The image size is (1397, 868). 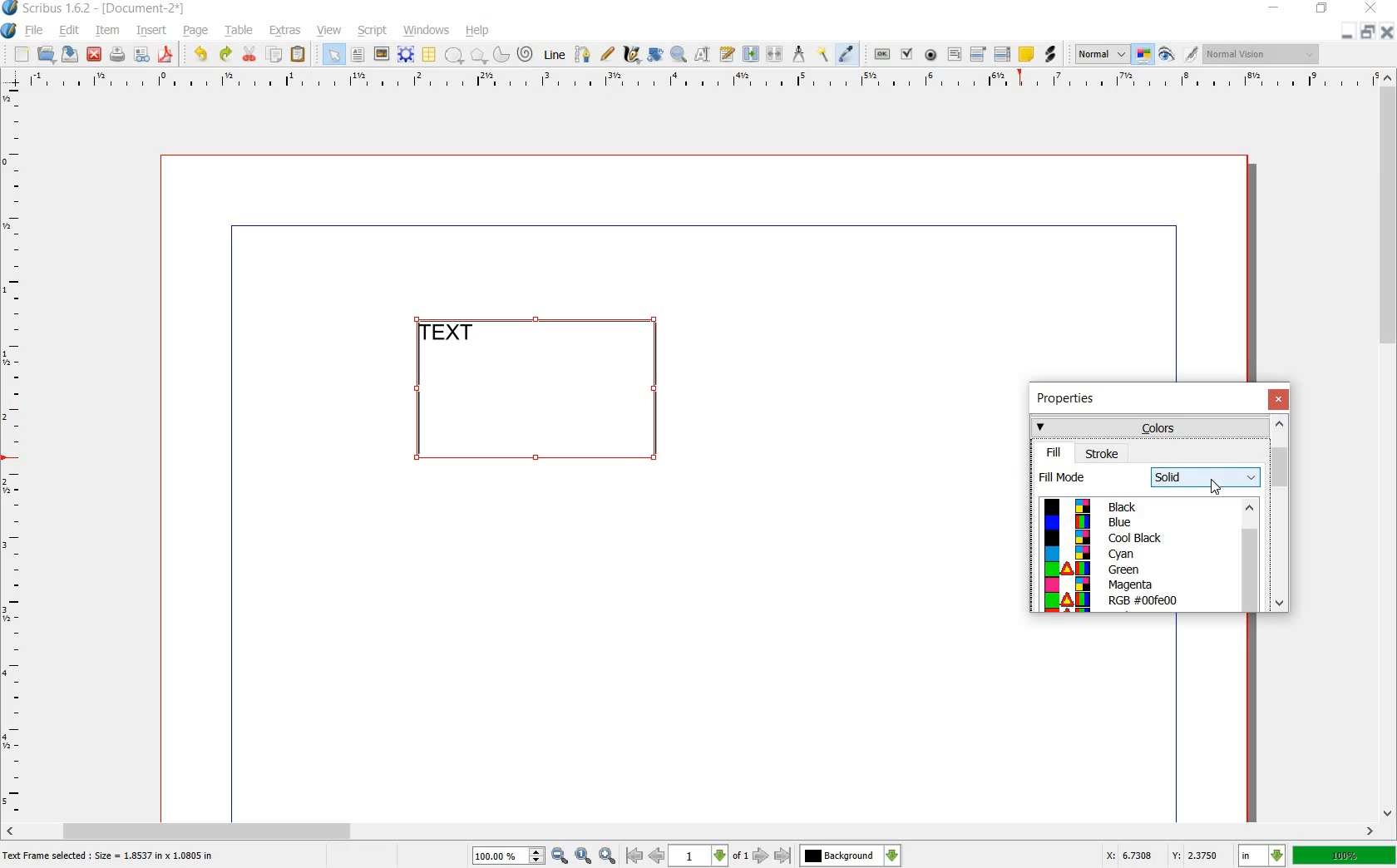 What do you see at coordinates (550, 389) in the screenshot?
I see `text frame selected` at bounding box center [550, 389].